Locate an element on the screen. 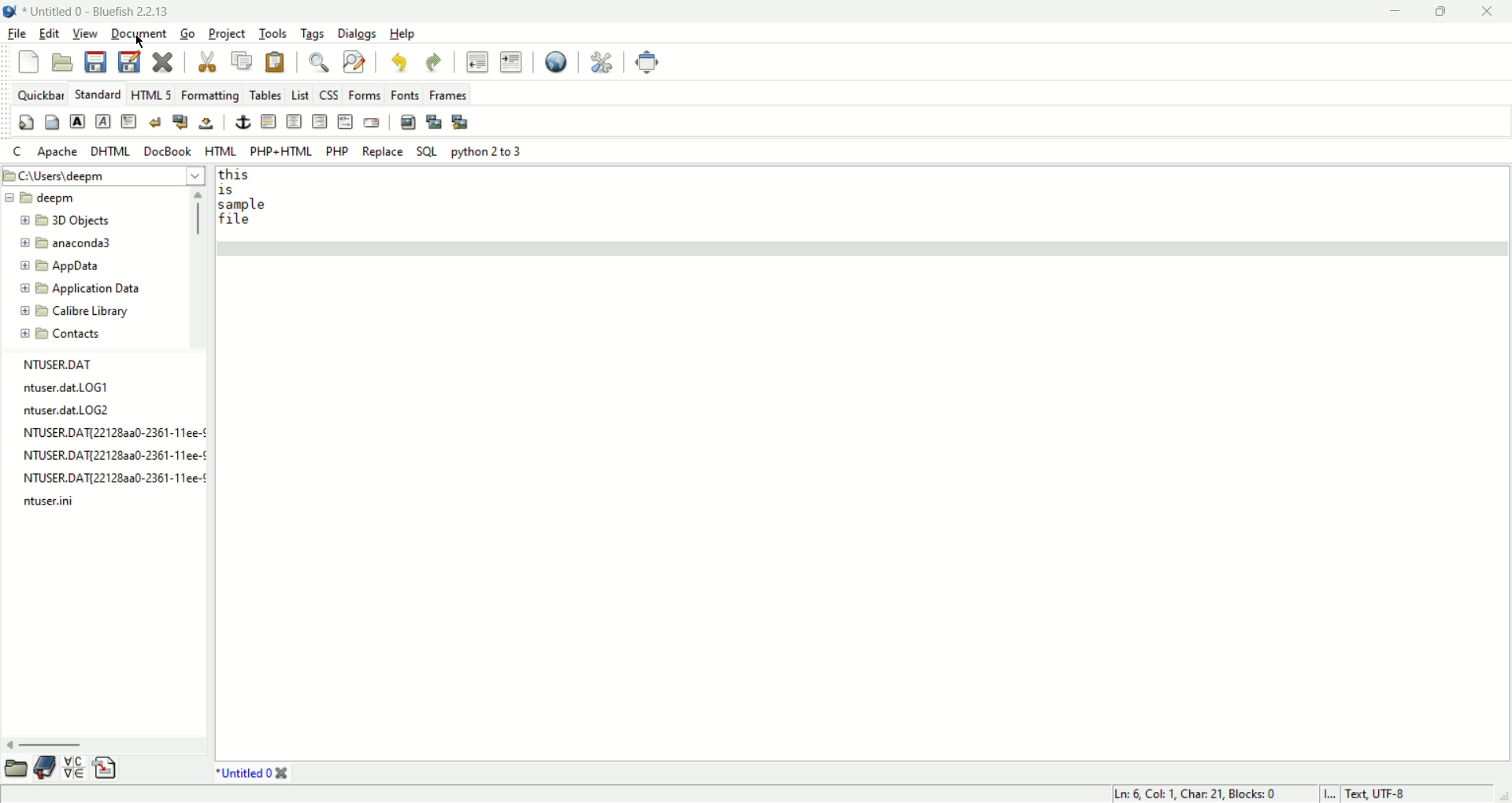 The height and width of the screenshot is (803, 1512). undo is located at coordinates (398, 63).